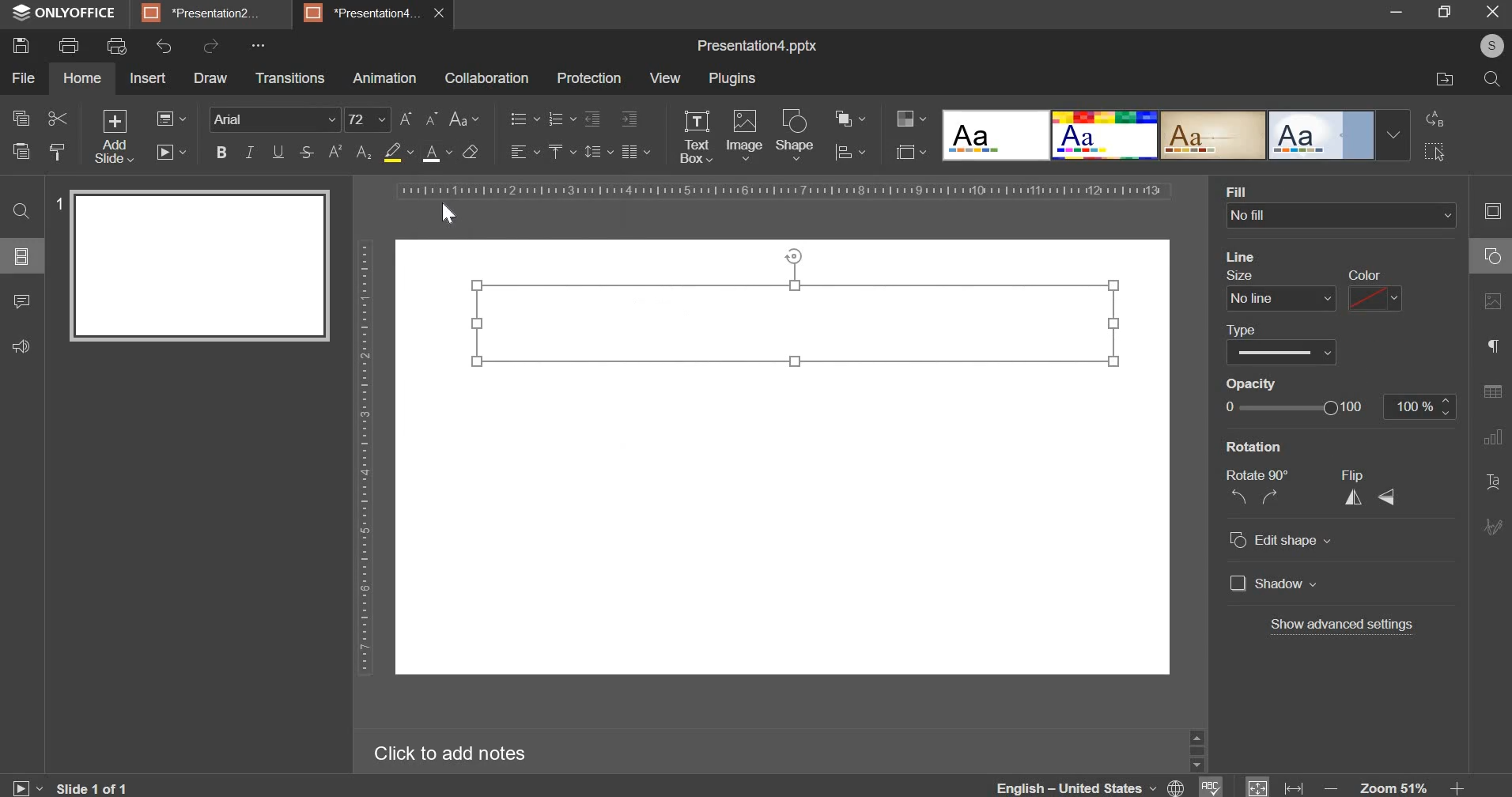 The height and width of the screenshot is (797, 1512). I want to click on insert, so click(149, 77).